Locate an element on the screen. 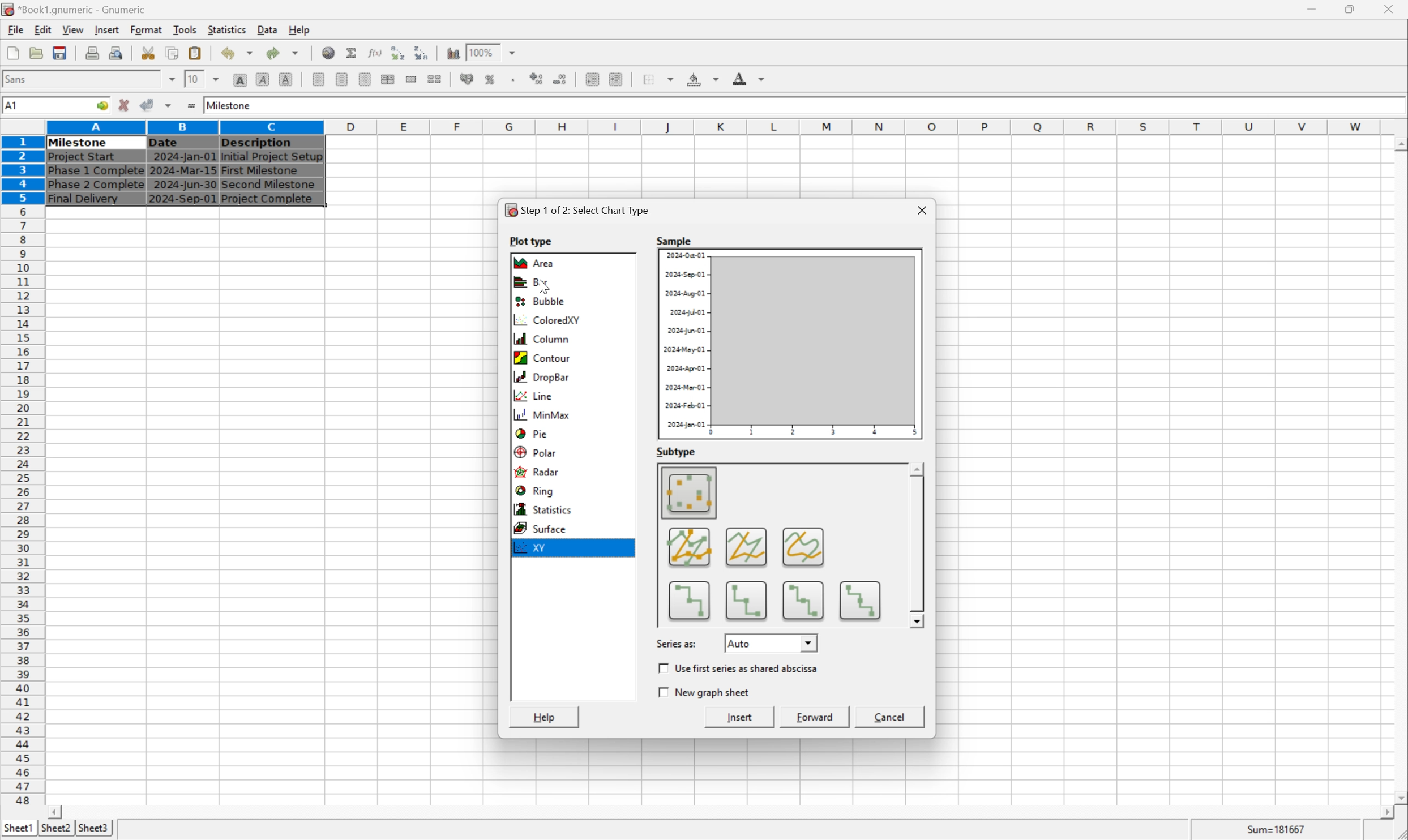 The height and width of the screenshot is (840, 1408). underline is located at coordinates (286, 79).